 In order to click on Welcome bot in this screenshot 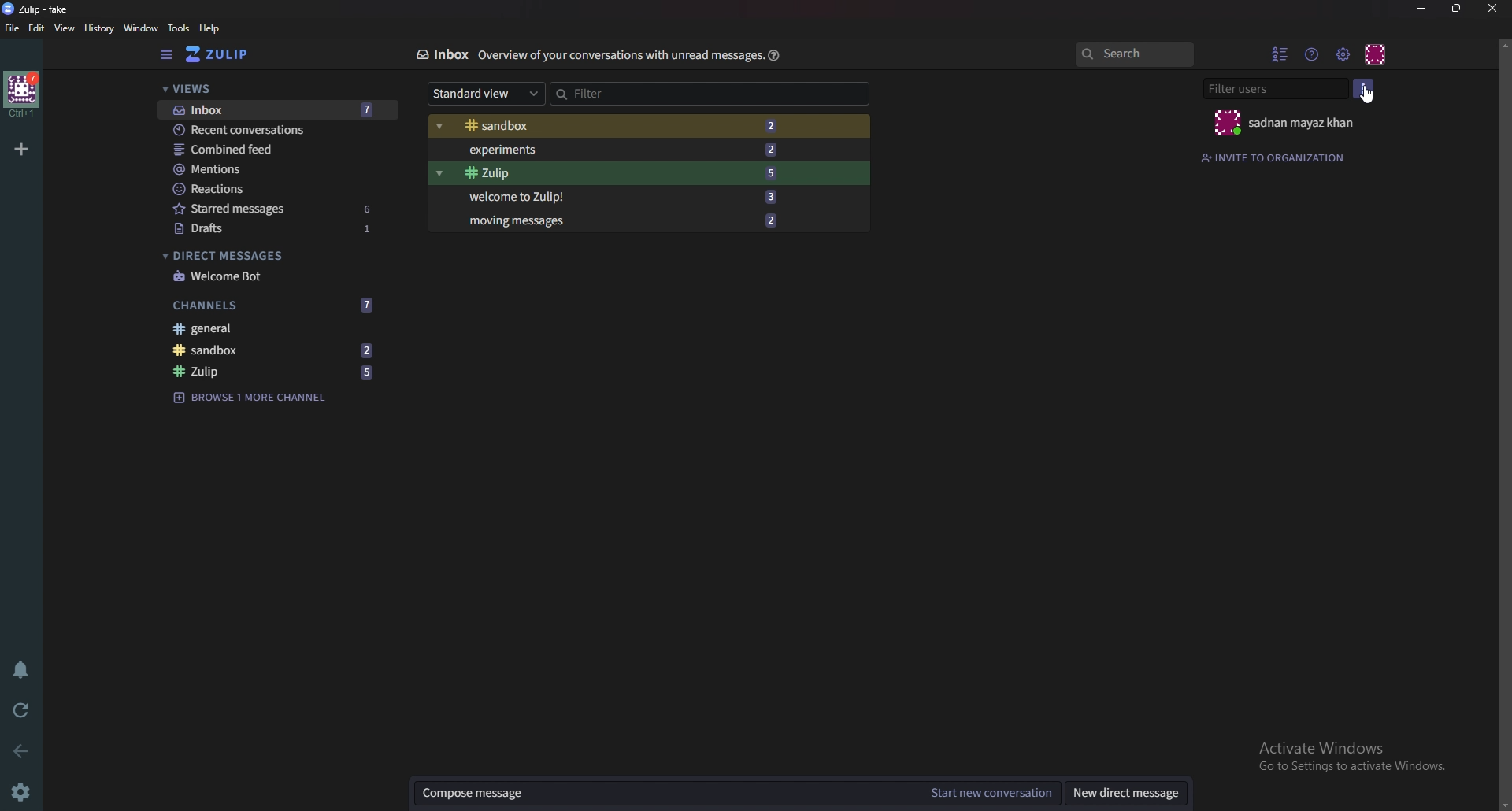, I will do `click(275, 276)`.